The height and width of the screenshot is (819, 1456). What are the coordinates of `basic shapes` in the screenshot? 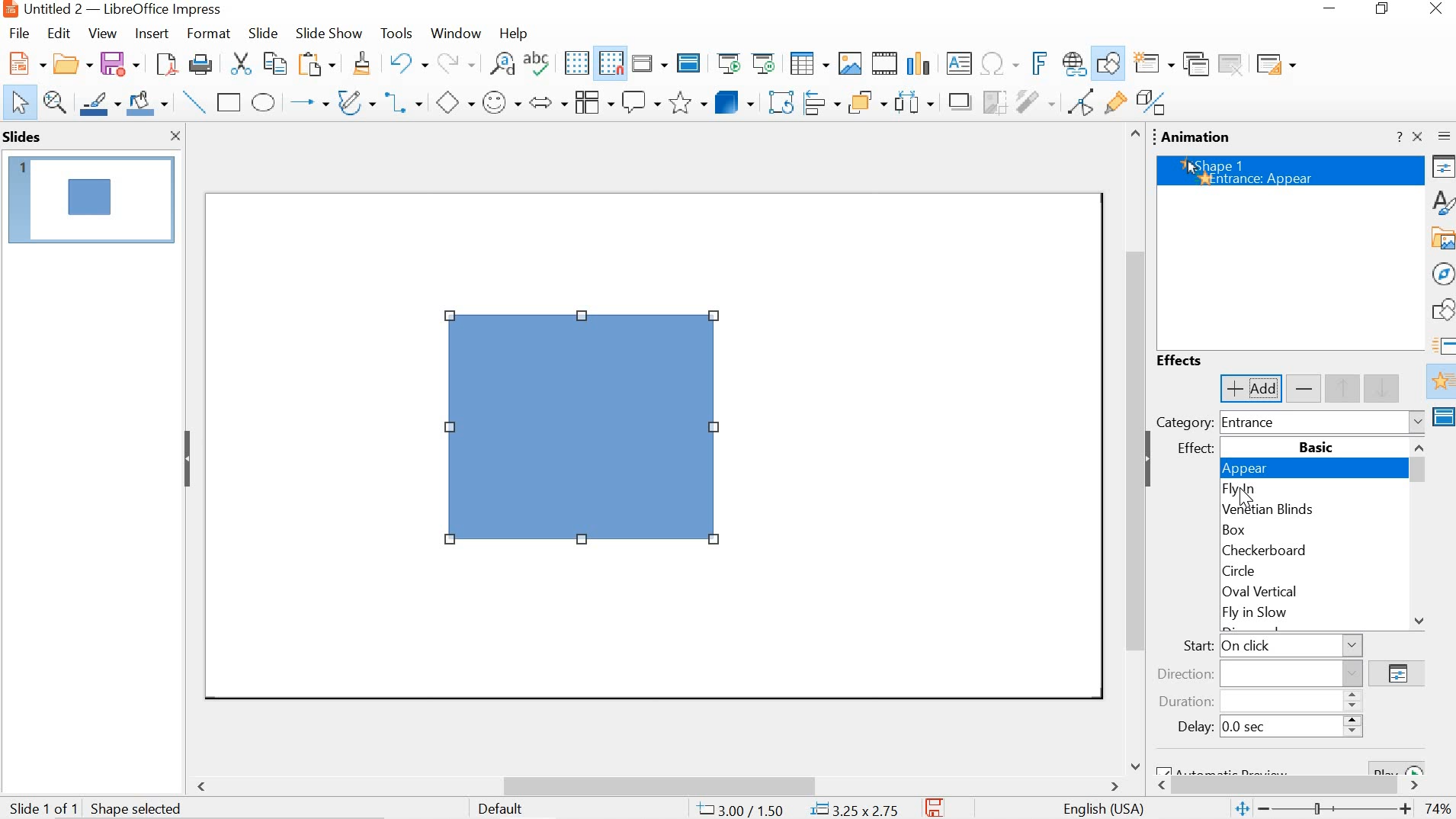 It's located at (455, 101).